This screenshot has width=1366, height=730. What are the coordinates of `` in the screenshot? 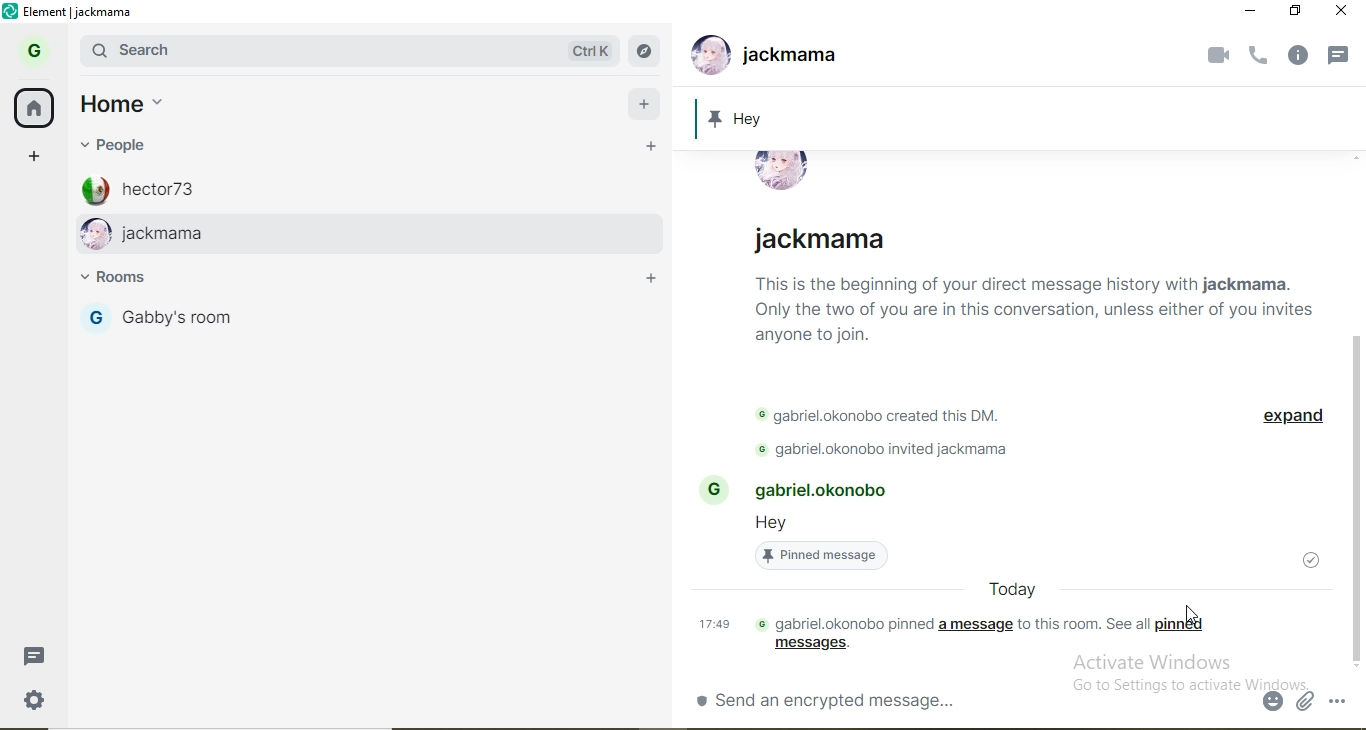 It's located at (1340, 701).